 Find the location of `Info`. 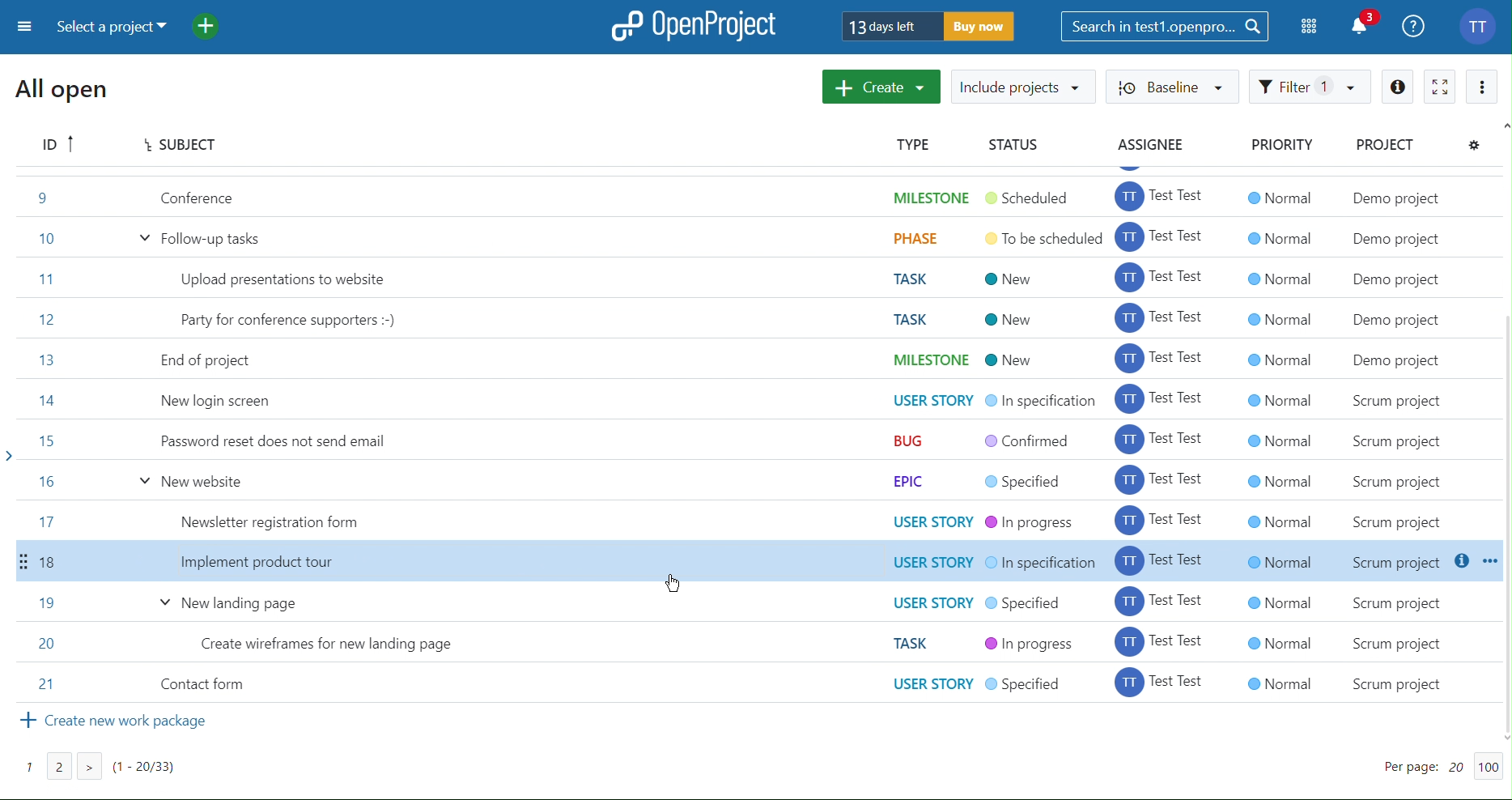

Info is located at coordinates (1399, 85).